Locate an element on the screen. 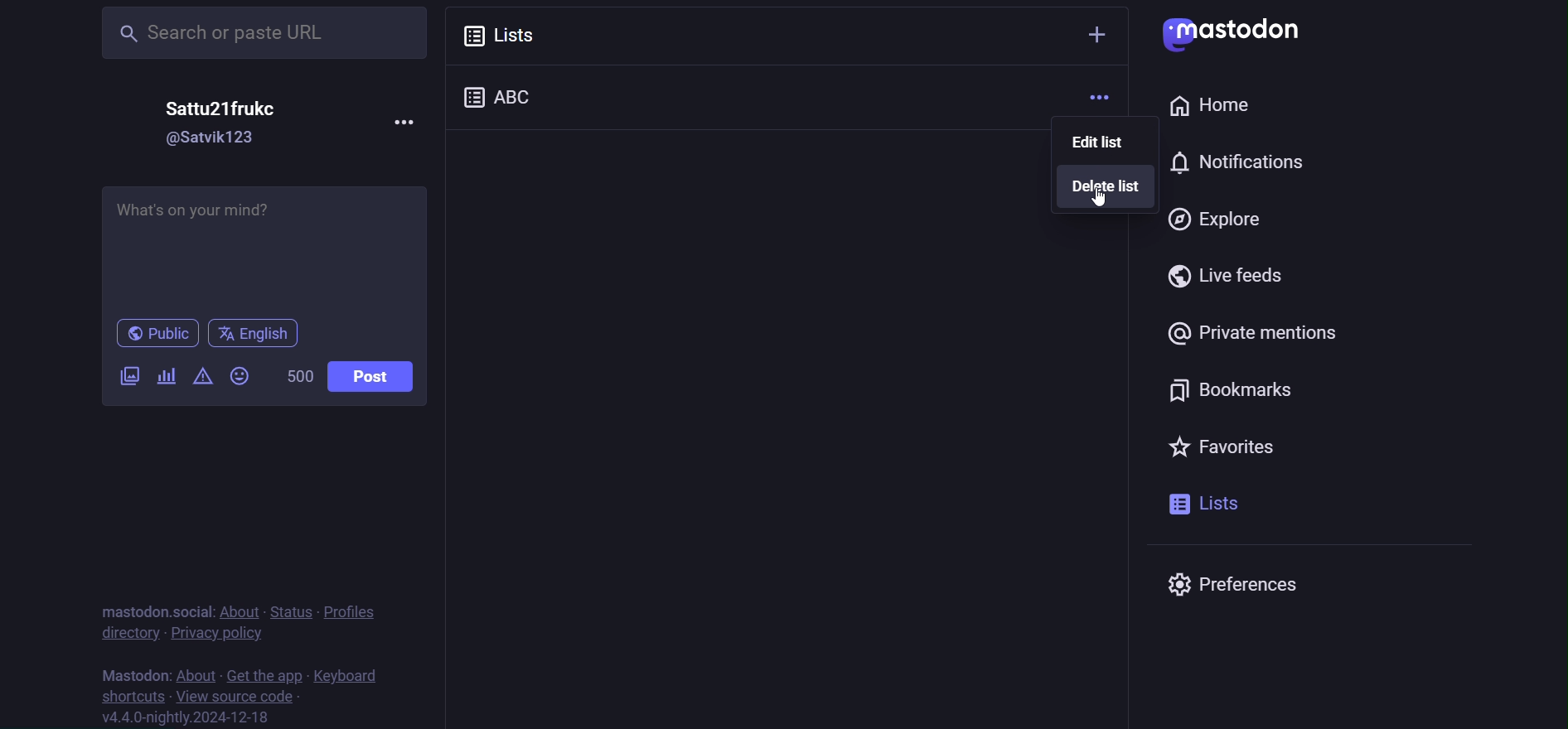  directory is located at coordinates (129, 633).